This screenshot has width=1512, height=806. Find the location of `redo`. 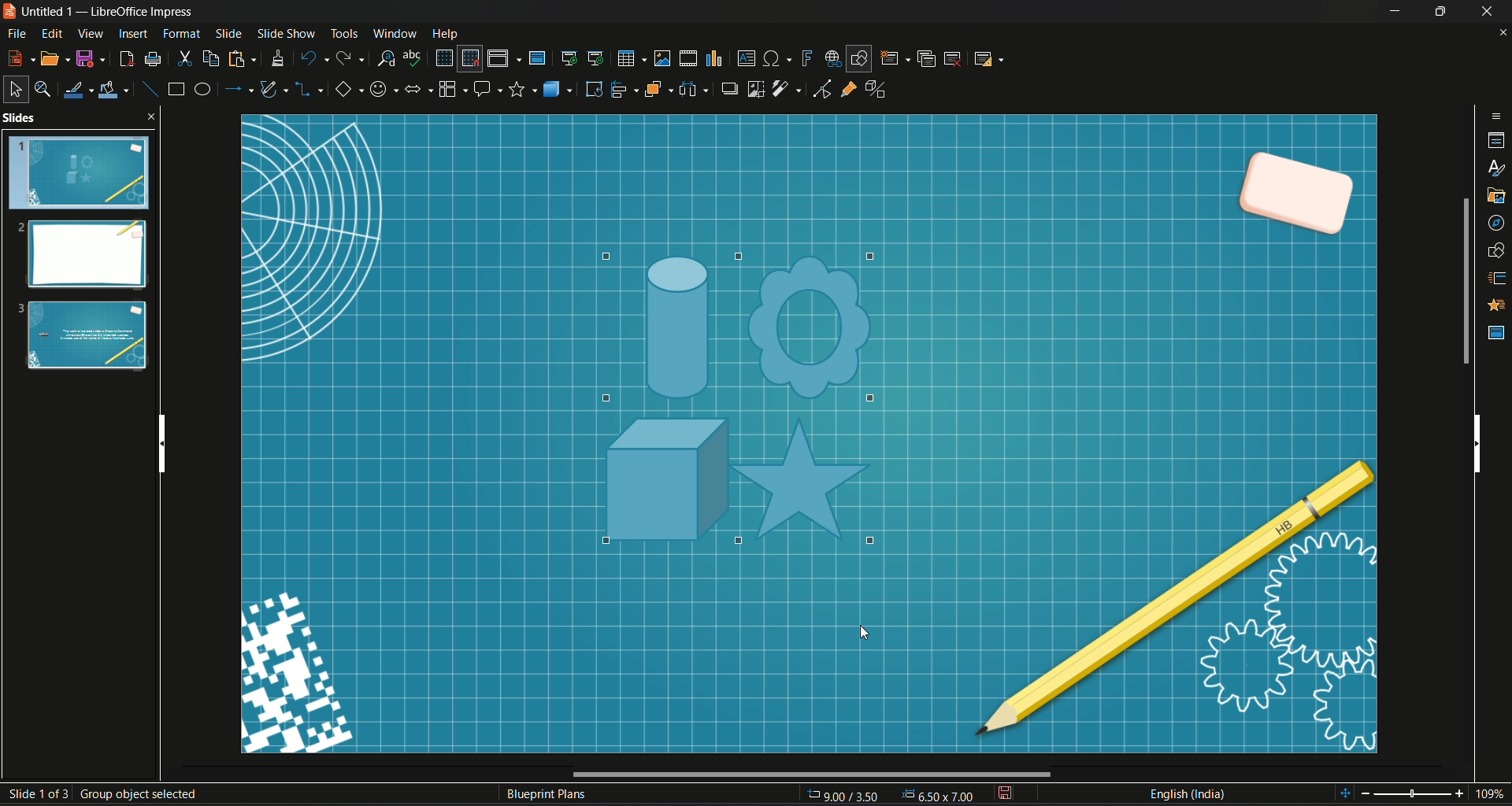

redo is located at coordinates (350, 57).